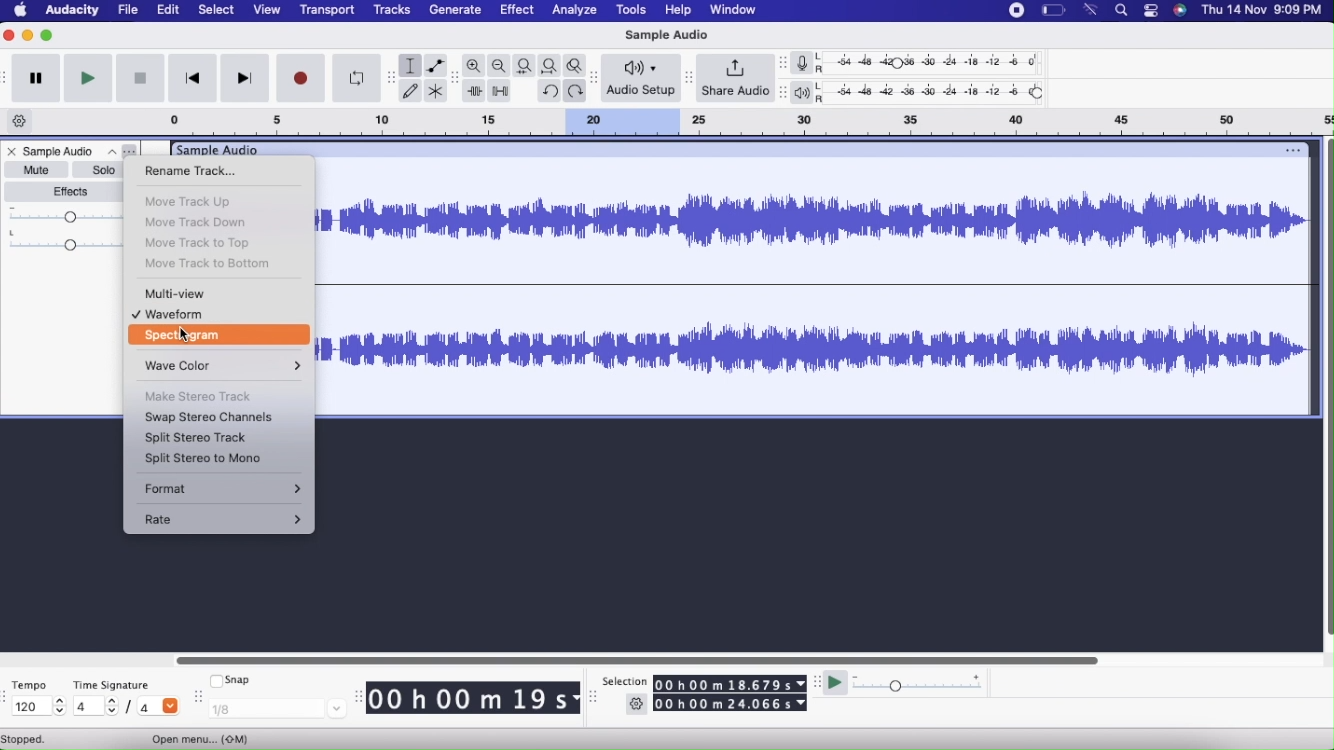  I want to click on Zoom toggle, so click(577, 65).